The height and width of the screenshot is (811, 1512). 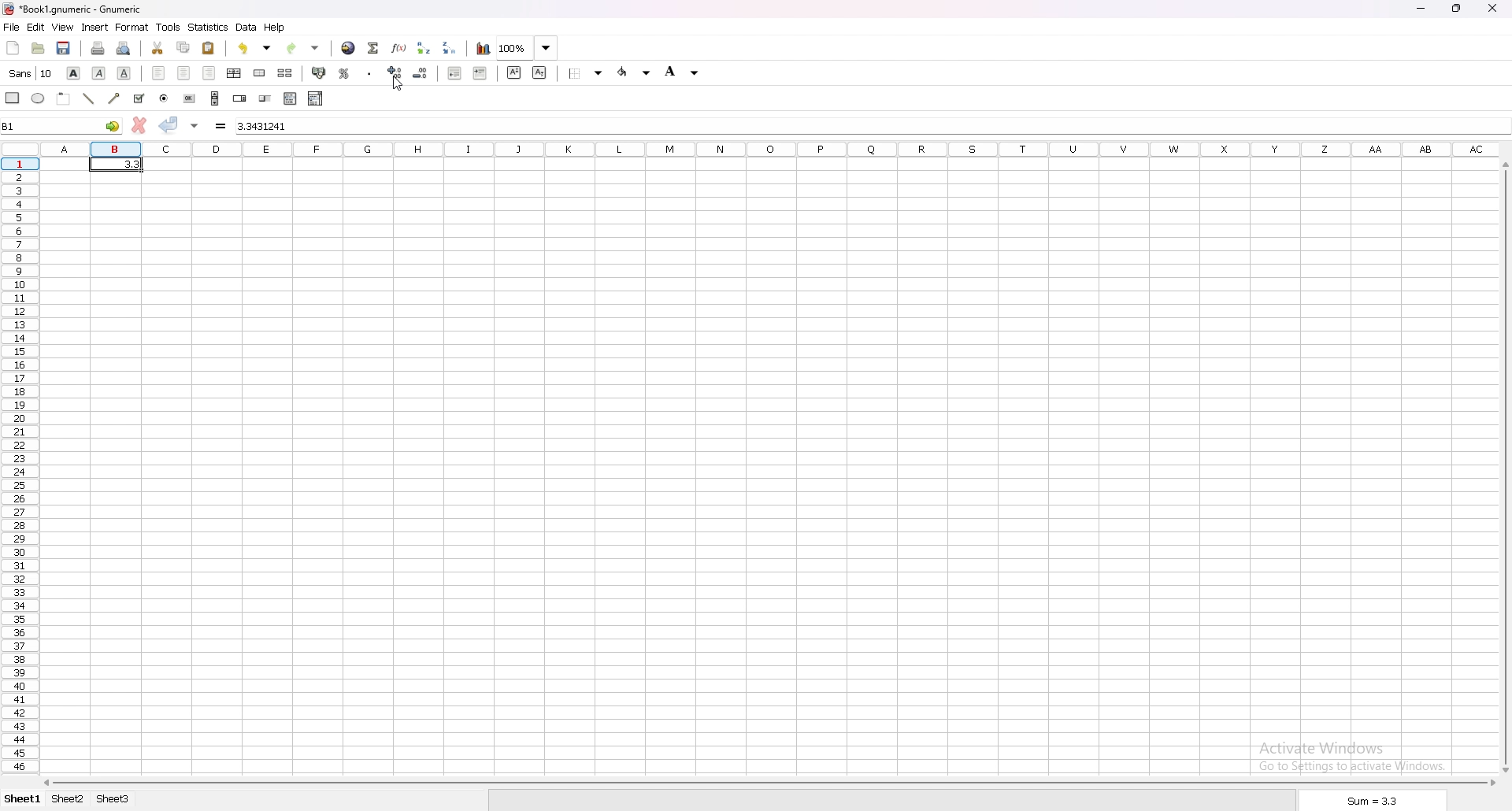 What do you see at coordinates (35, 28) in the screenshot?
I see `edit` at bounding box center [35, 28].